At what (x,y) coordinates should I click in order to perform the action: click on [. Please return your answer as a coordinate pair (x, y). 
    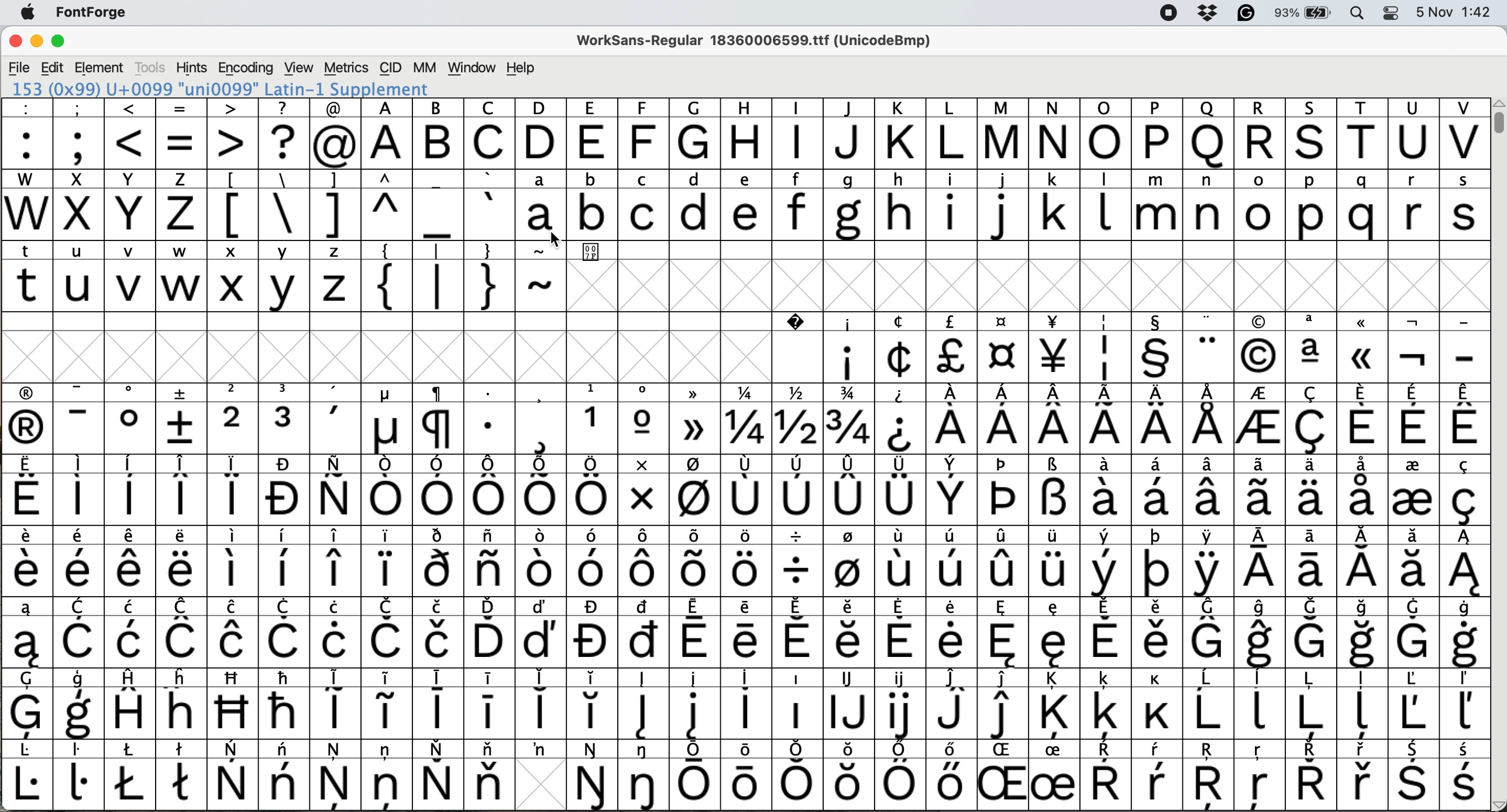
    Looking at the image, I should click on (233, 205).